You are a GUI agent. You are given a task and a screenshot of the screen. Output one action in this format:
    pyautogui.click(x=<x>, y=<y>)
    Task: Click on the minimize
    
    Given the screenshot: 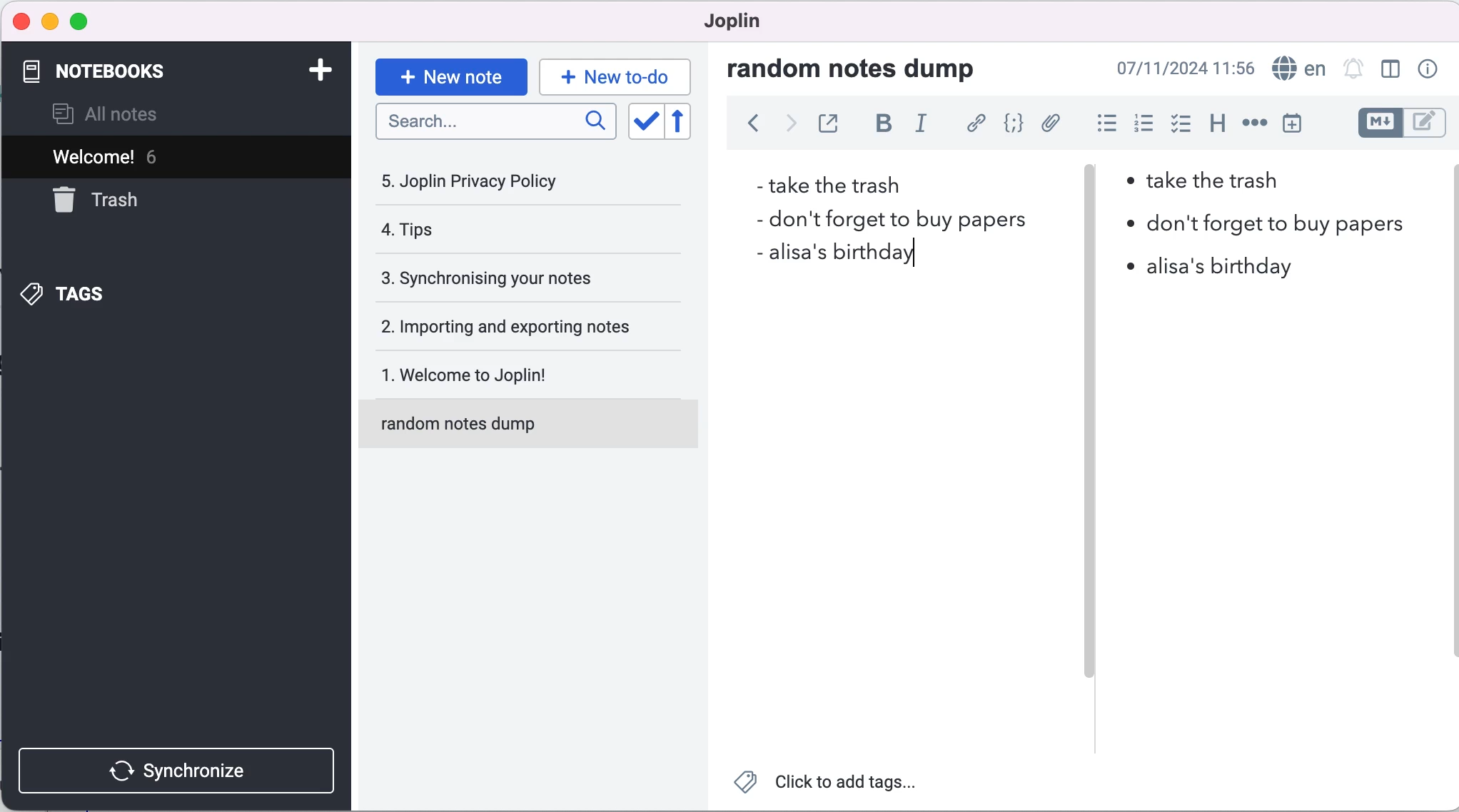 What is the action you would take?
    pyautogui.click(x=49, y=22)
    